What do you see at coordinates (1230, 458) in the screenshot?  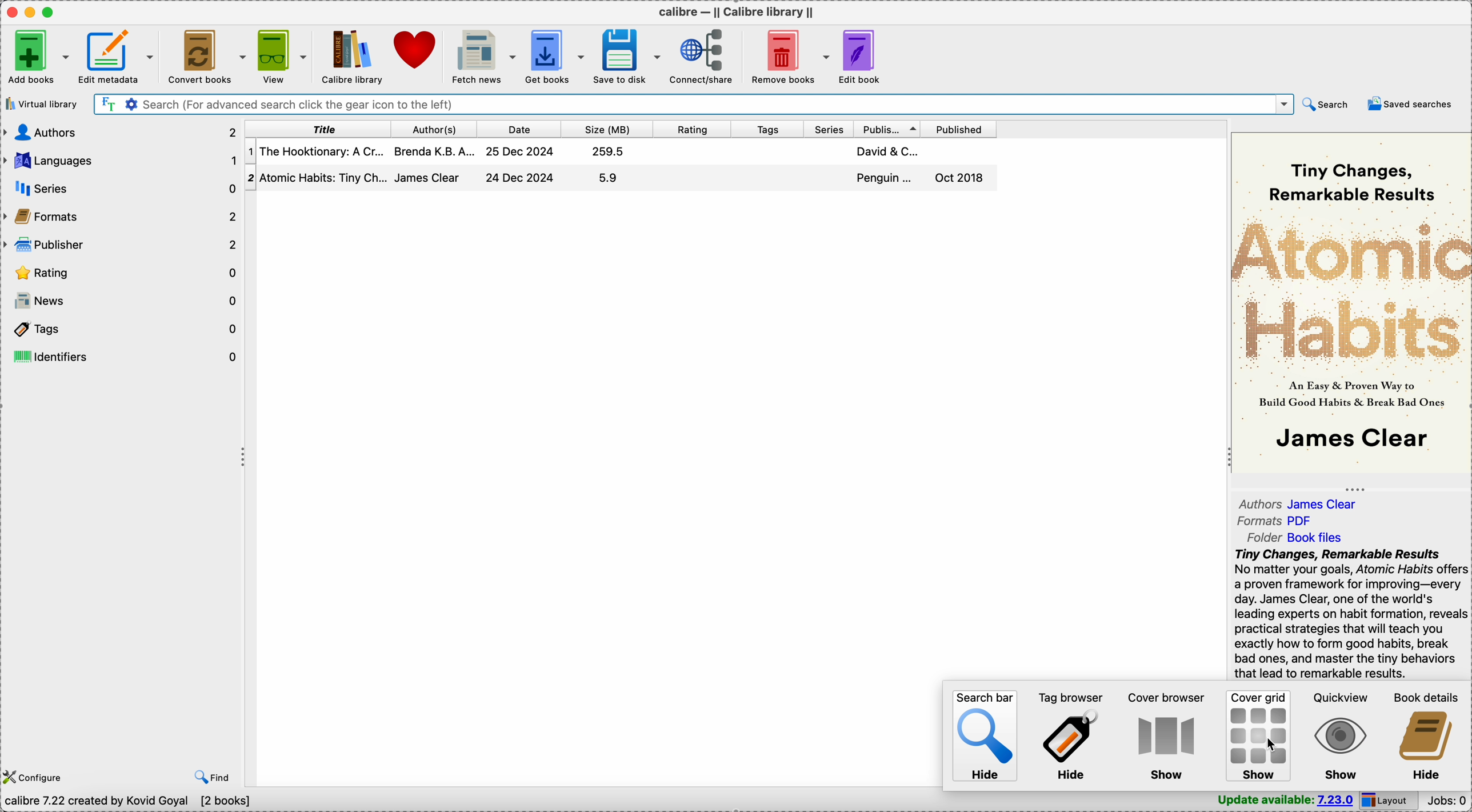 I see `toggle expand/contract` at bounding box center [1230, 458].